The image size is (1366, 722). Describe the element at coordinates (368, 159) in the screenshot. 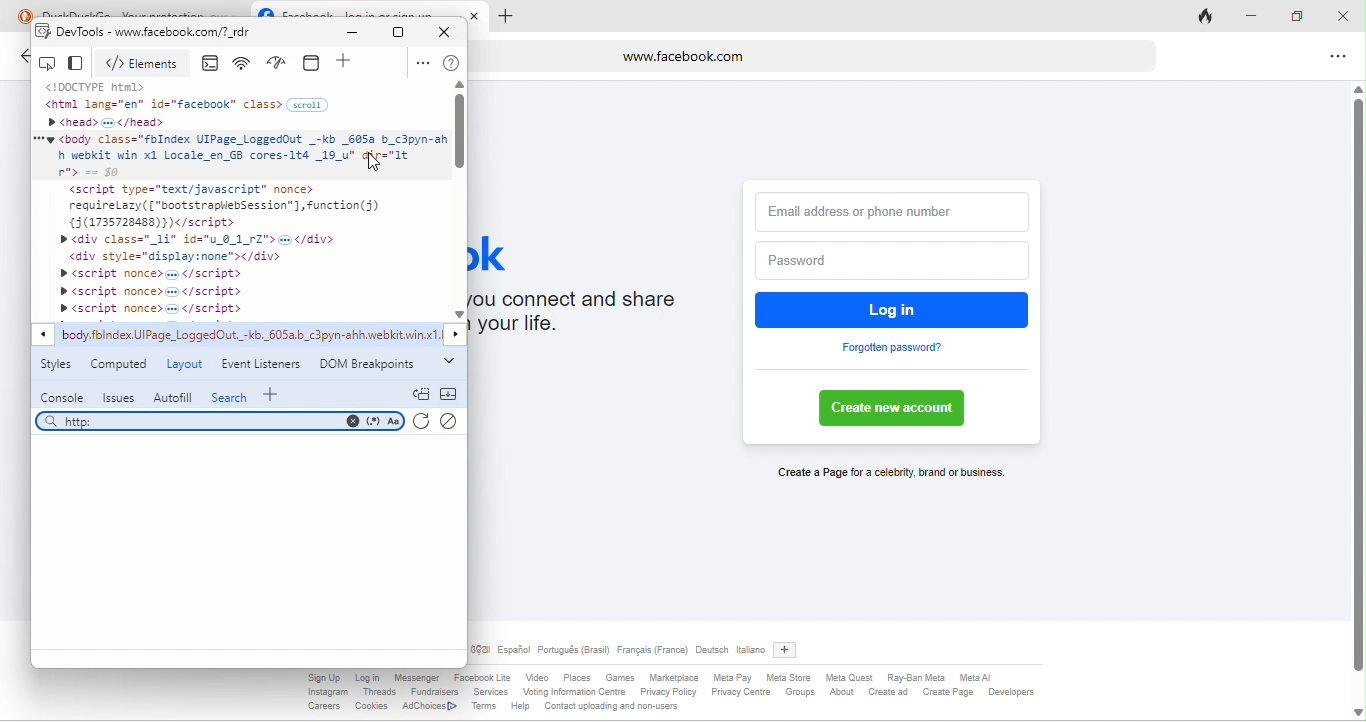

I see `cursor movement` at that location.